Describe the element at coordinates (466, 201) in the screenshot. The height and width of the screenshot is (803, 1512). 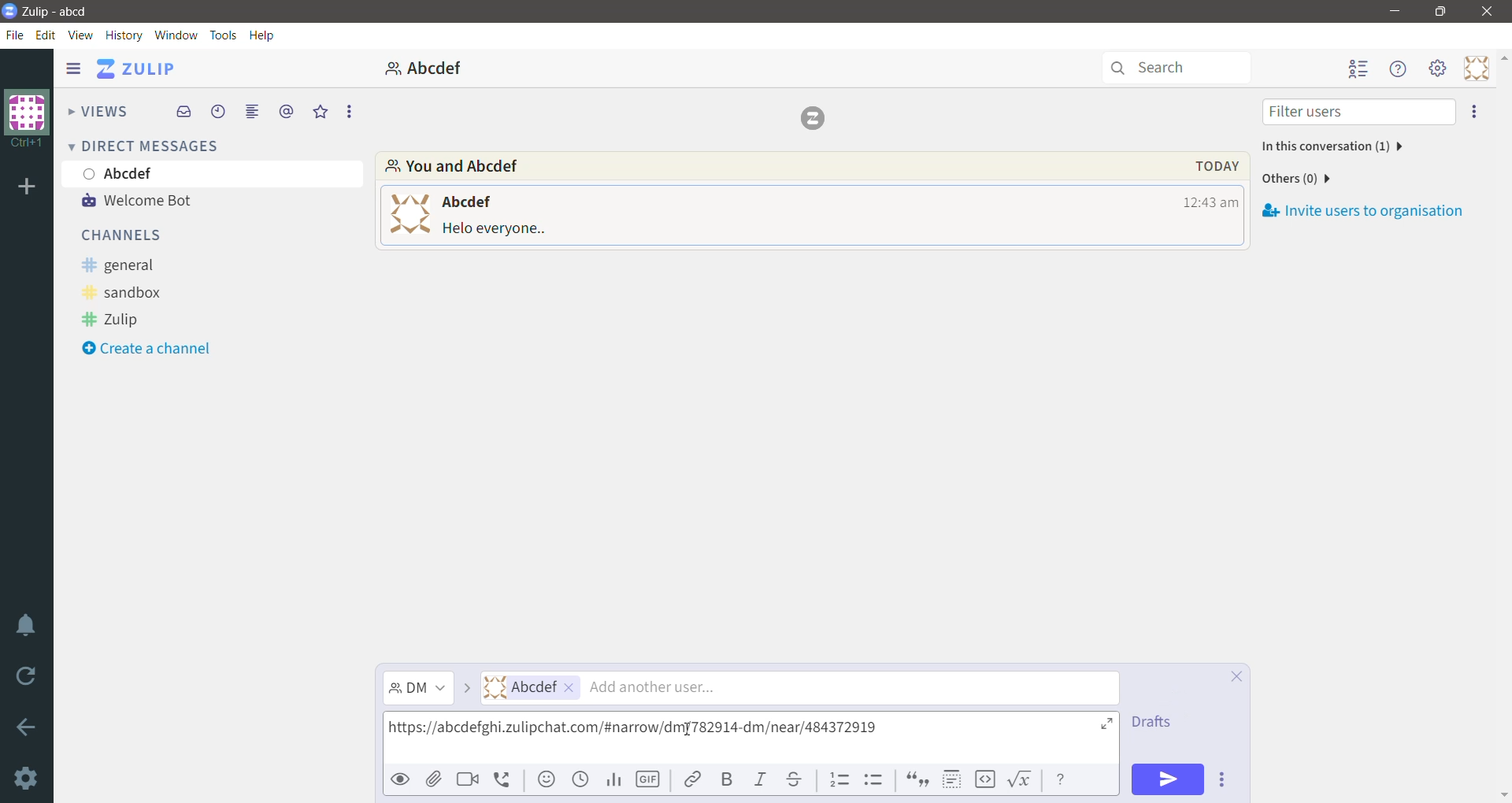
I see `user name` at that location.